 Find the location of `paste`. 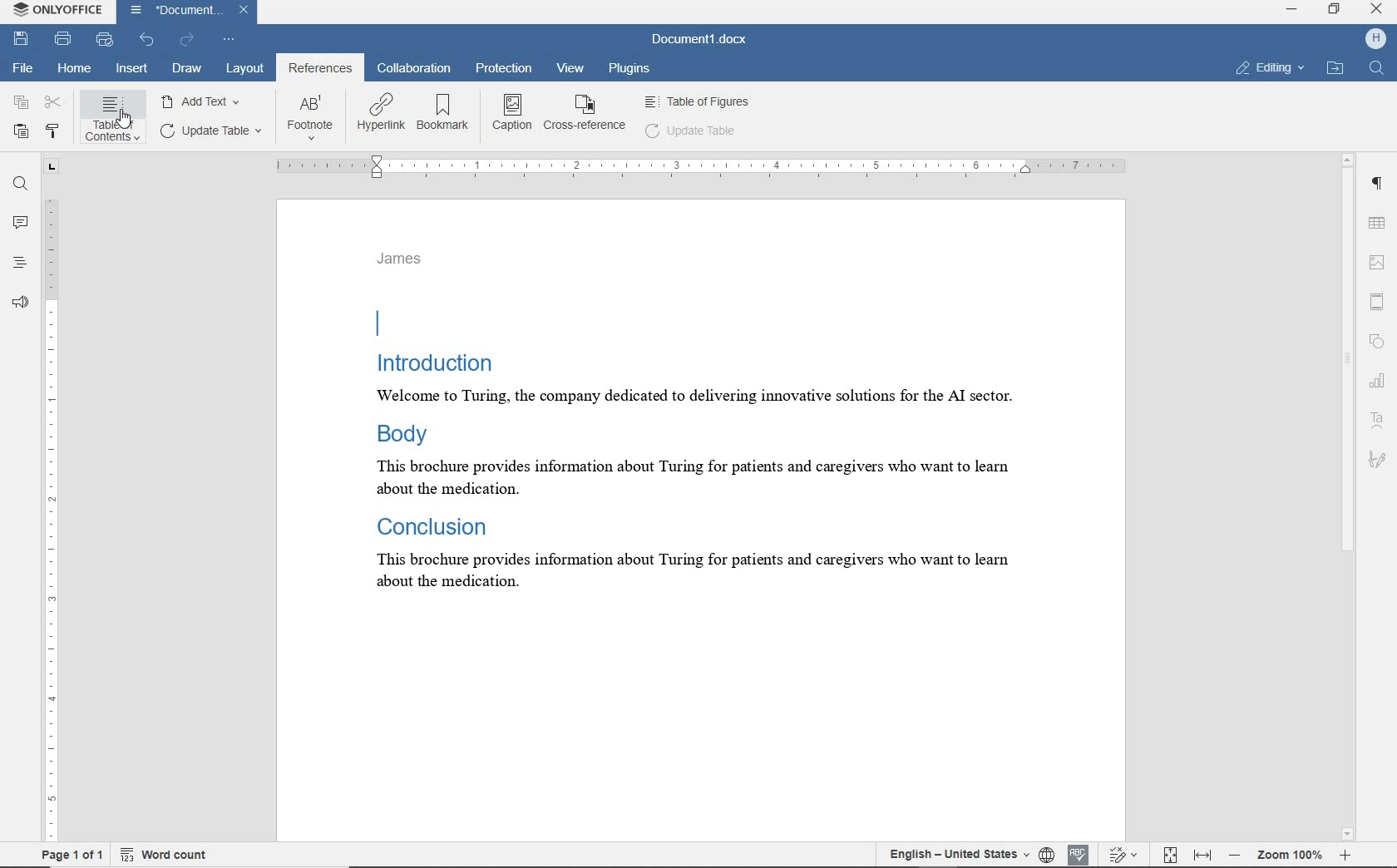

paste is located at coordinates (21, 132).